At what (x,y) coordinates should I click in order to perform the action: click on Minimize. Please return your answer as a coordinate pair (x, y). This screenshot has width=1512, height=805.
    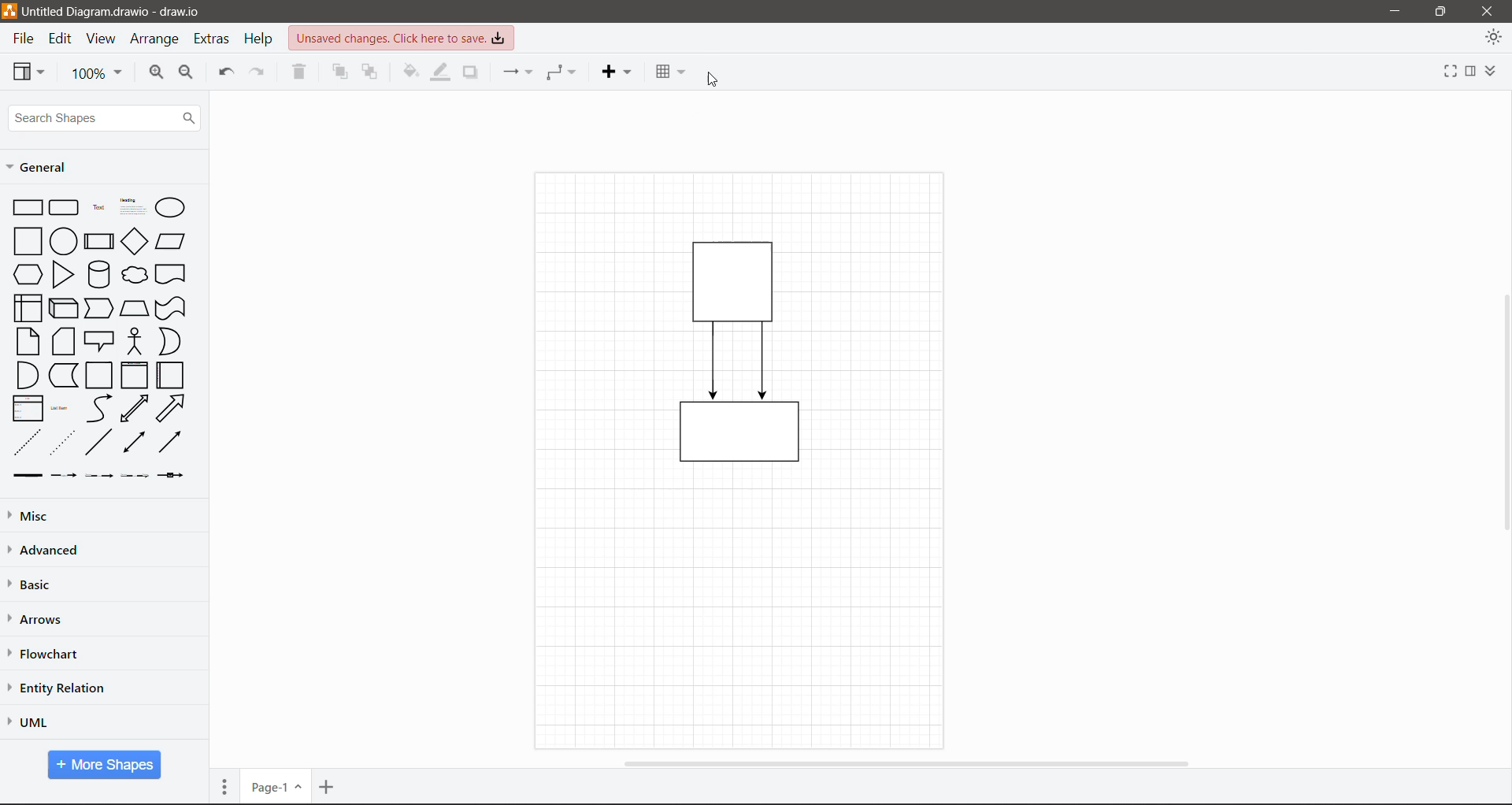
    Looking at the image, I should click on (1391, 12).